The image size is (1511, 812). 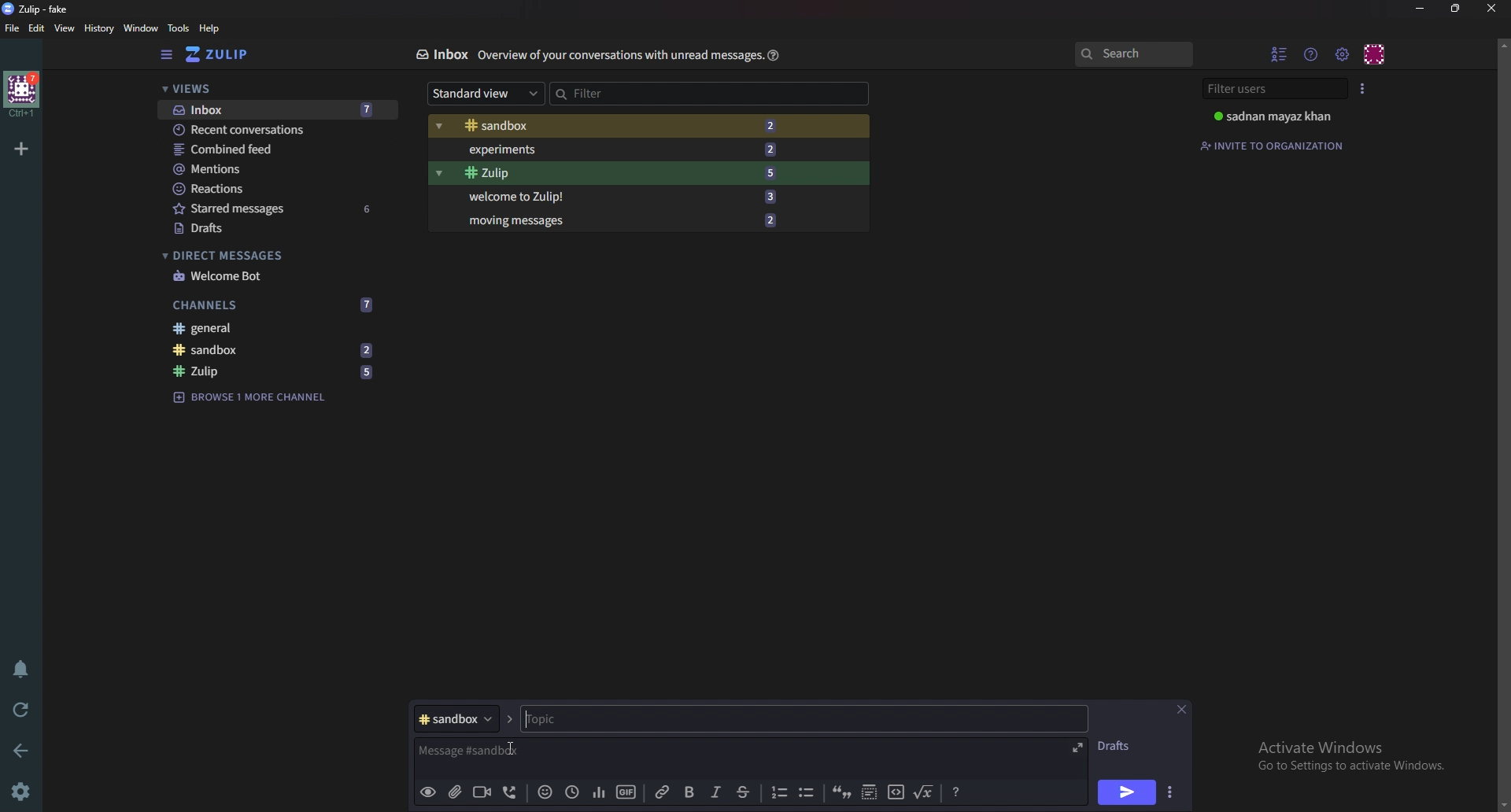 I want to click on cursor, so click(x=508, y=747).